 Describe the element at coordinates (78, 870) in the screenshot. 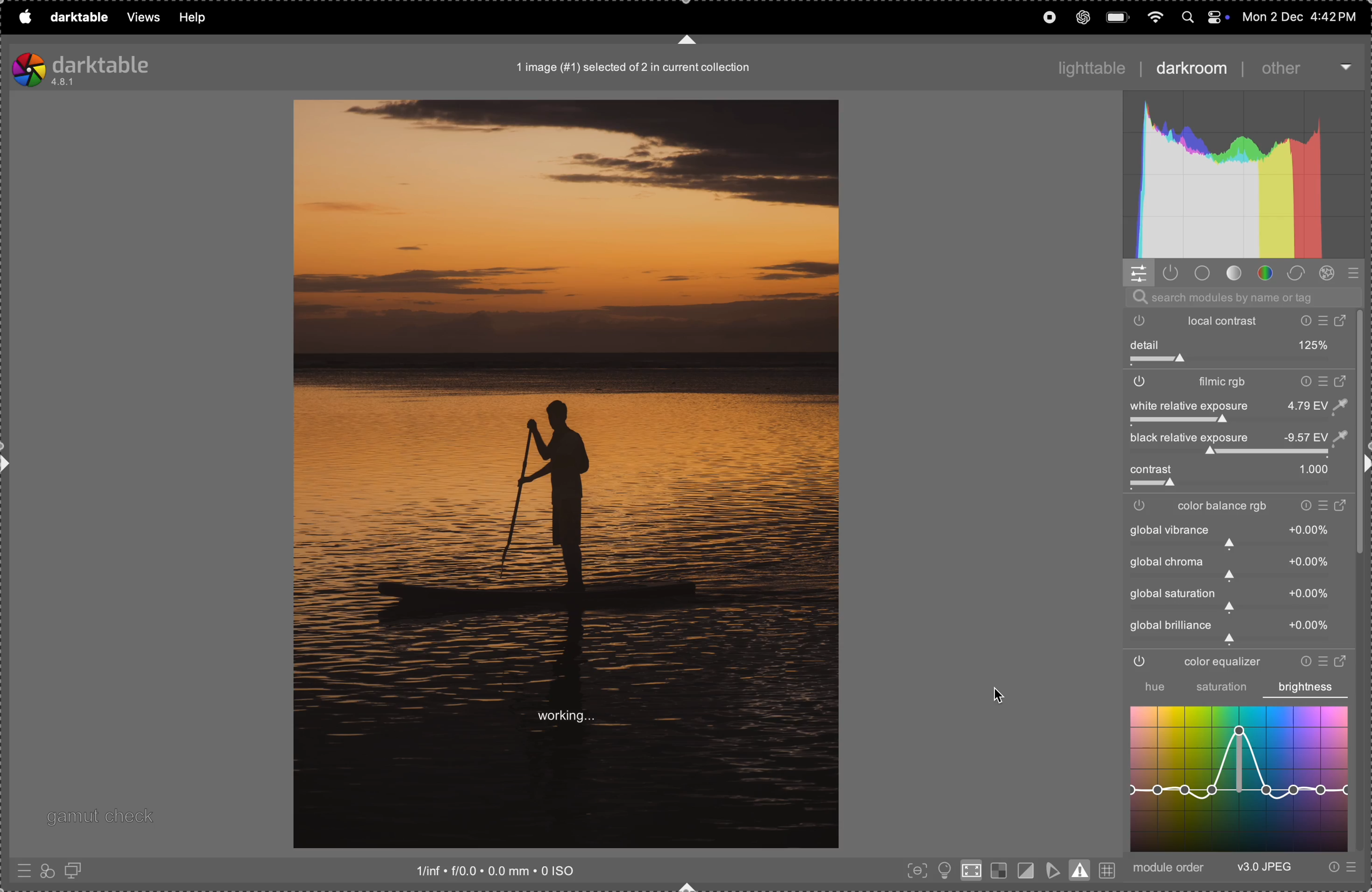

I see `display second window` at that location.